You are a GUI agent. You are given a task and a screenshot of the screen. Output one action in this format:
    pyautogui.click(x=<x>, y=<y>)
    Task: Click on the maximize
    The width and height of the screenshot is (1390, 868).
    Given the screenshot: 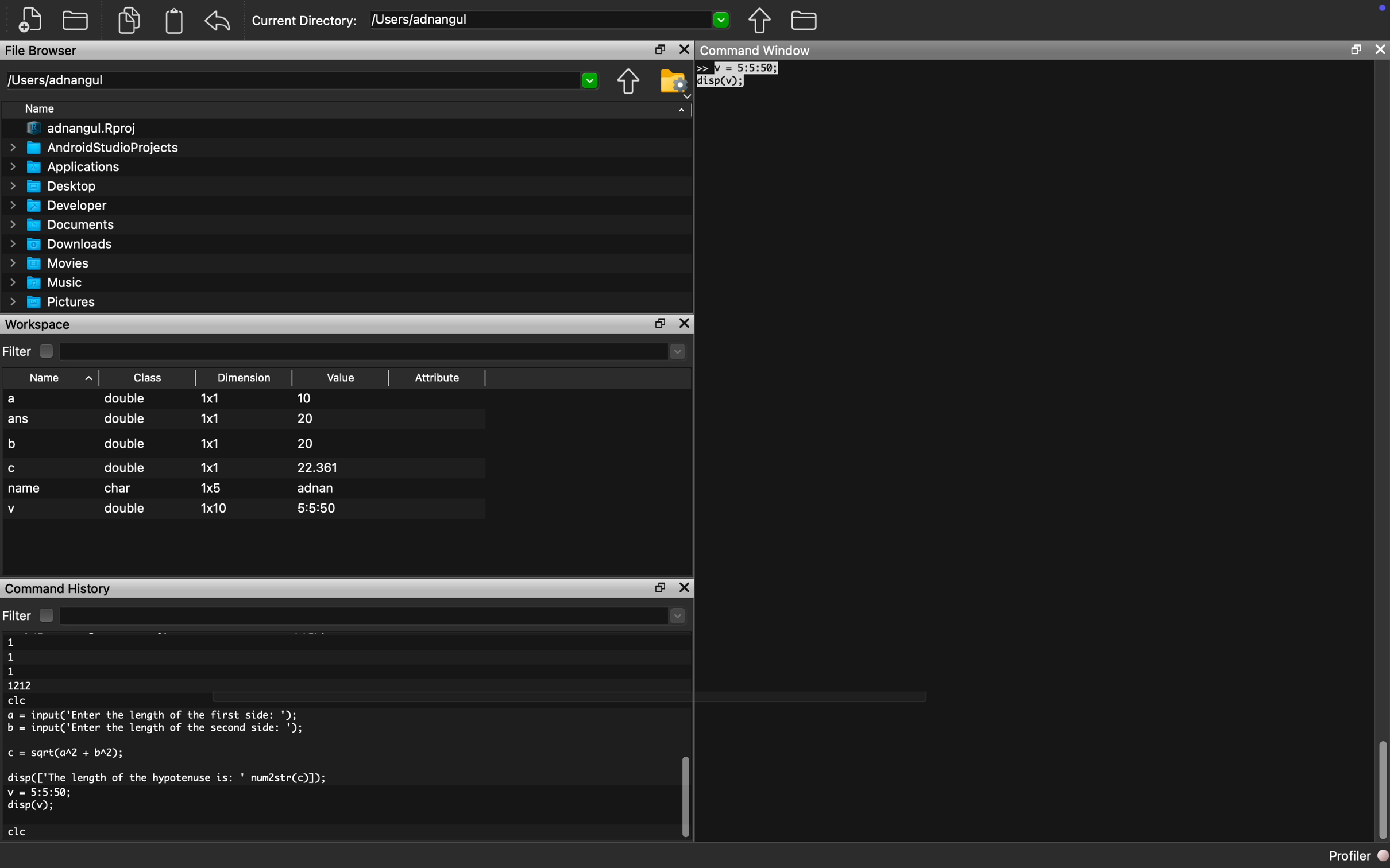 What is the action you would take?
    pyautogui.click(x=1356, y=48)
    